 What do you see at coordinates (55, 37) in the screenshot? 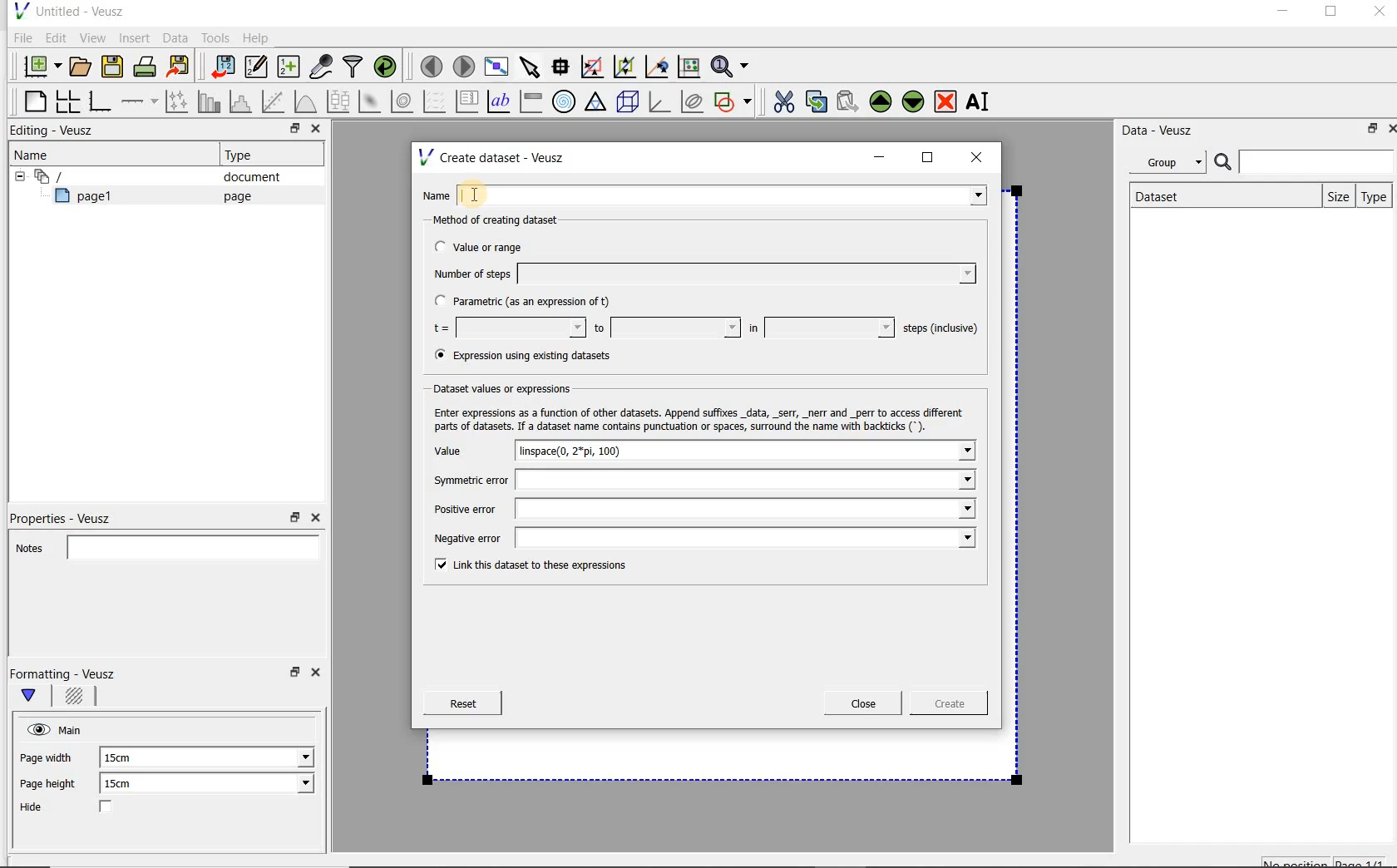
I see `Edit` at bounding box center [55, 37].